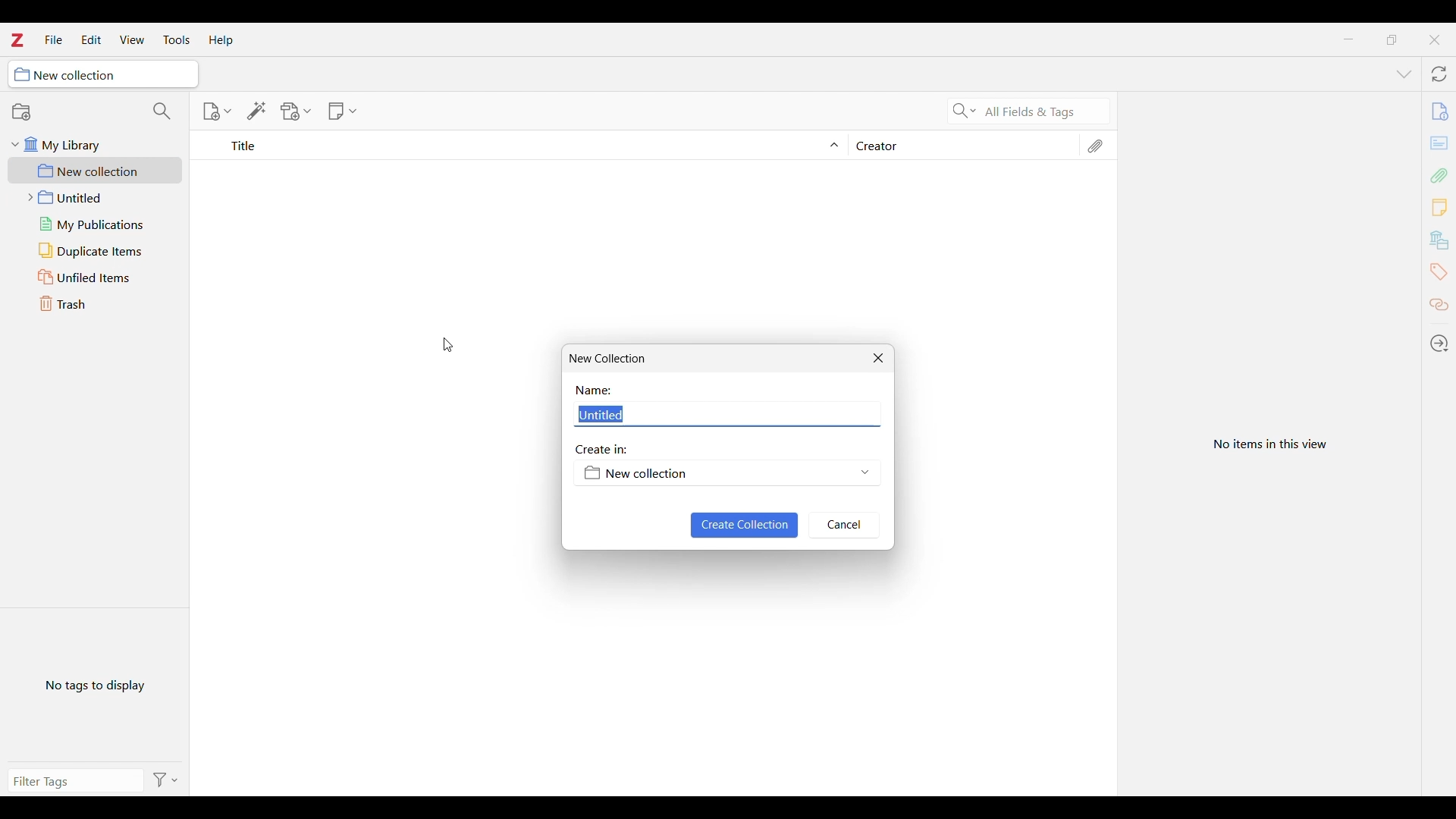  I want to click on My publications folder, so click(97, 224).